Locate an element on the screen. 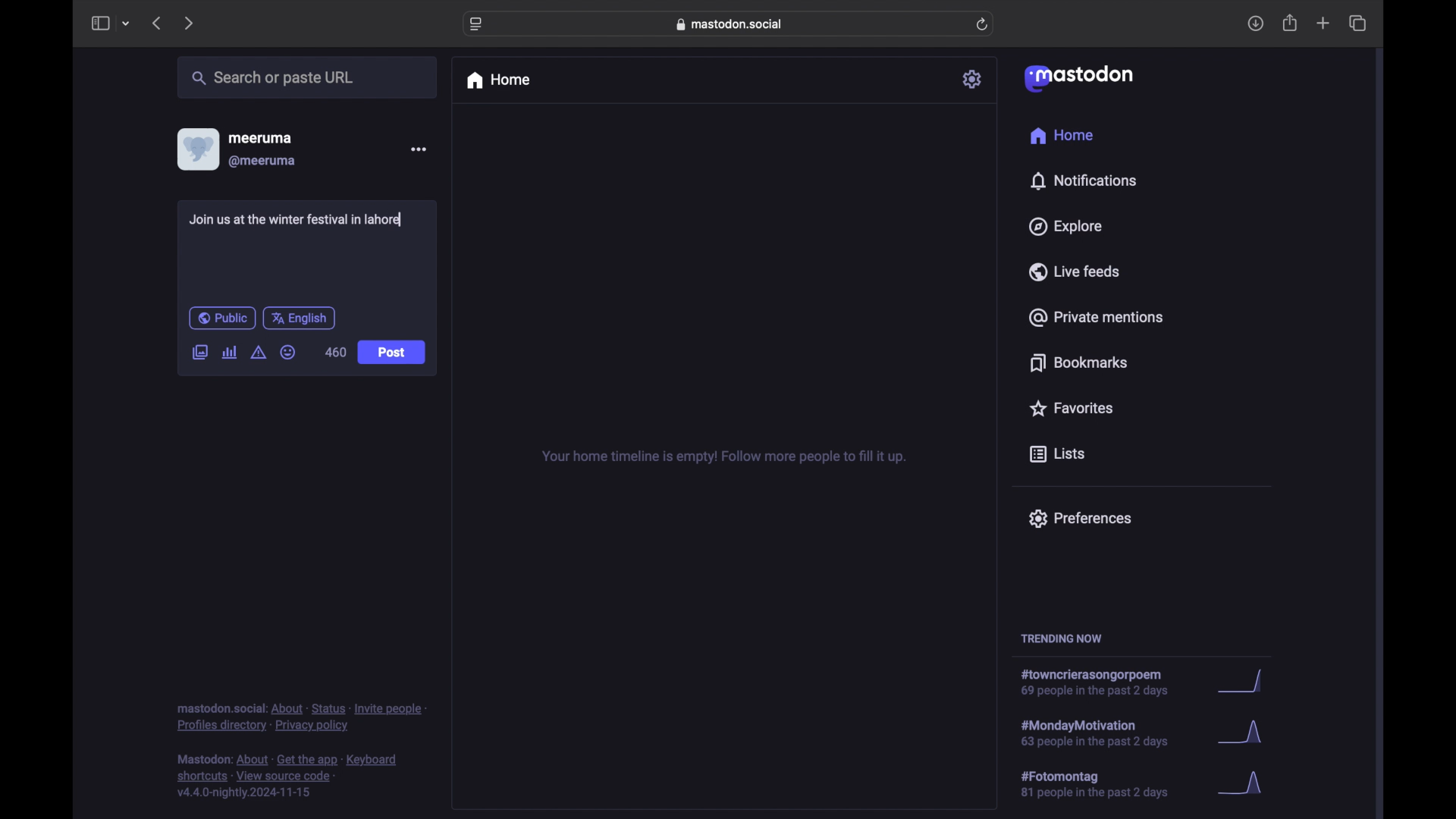  lists is located at coordinates (1057, 455).